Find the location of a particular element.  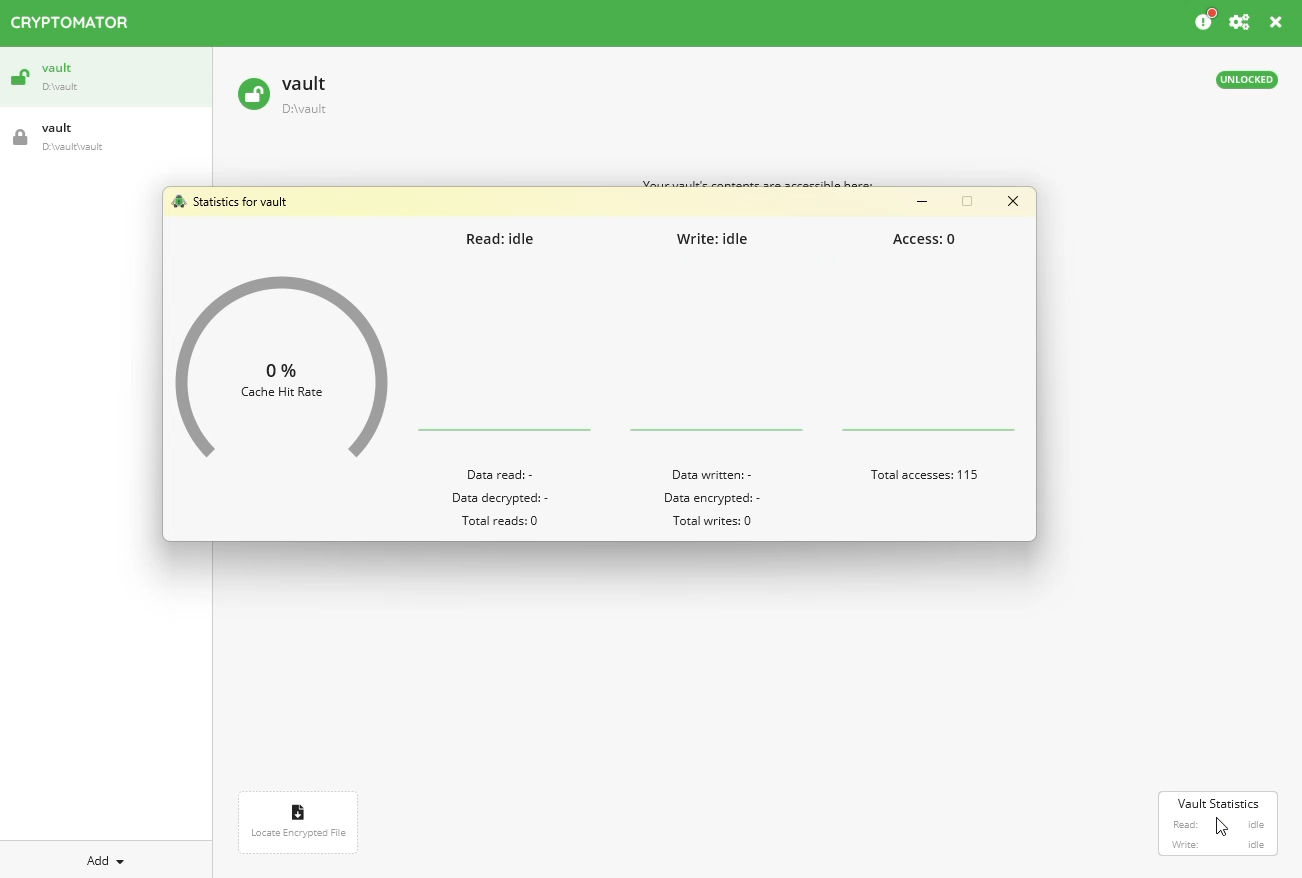

locate encrypted file is located at coordinates (299, 822).